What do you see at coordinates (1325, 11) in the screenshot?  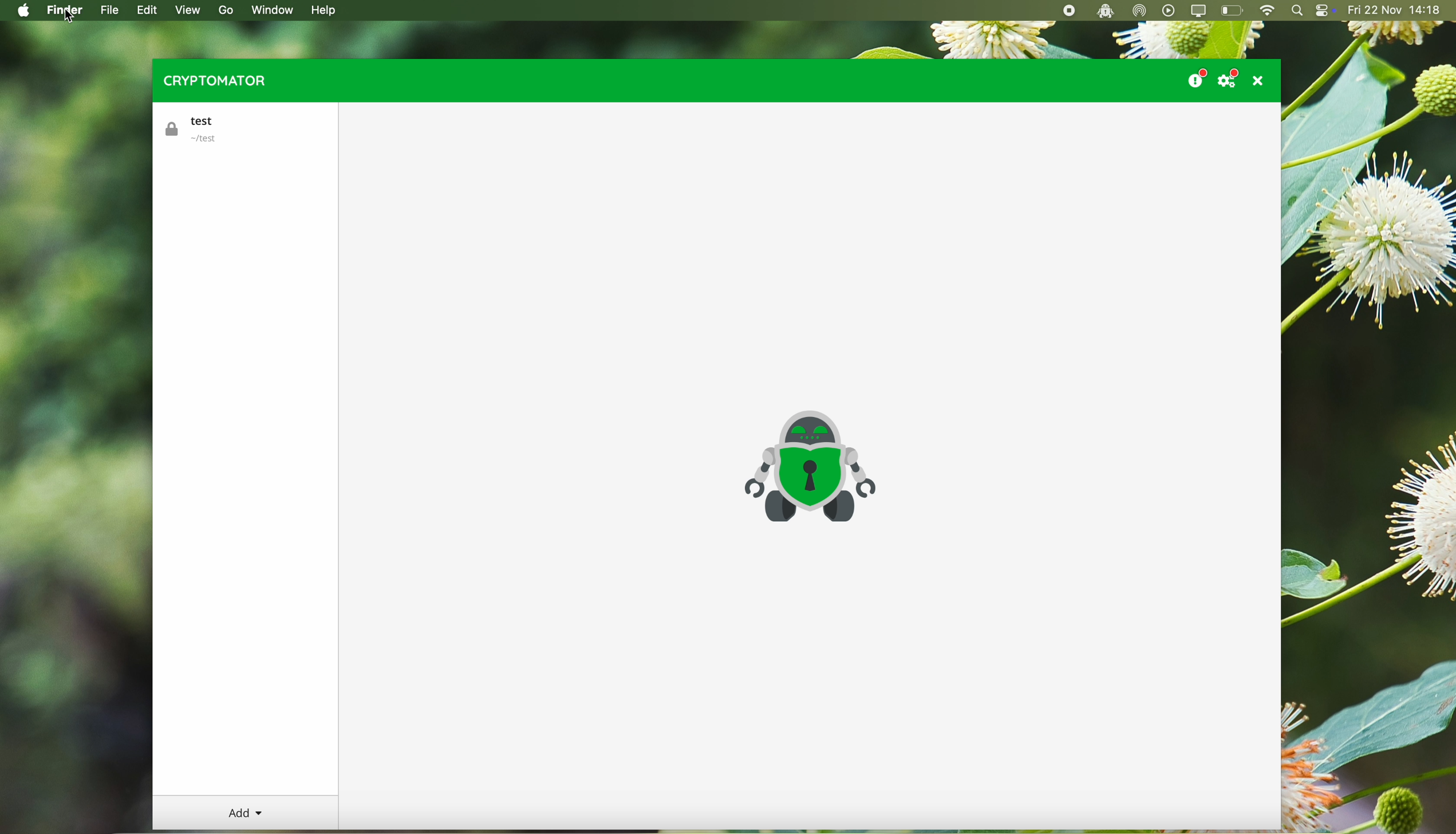 I see `controls` at bounding box center [1325, 11].